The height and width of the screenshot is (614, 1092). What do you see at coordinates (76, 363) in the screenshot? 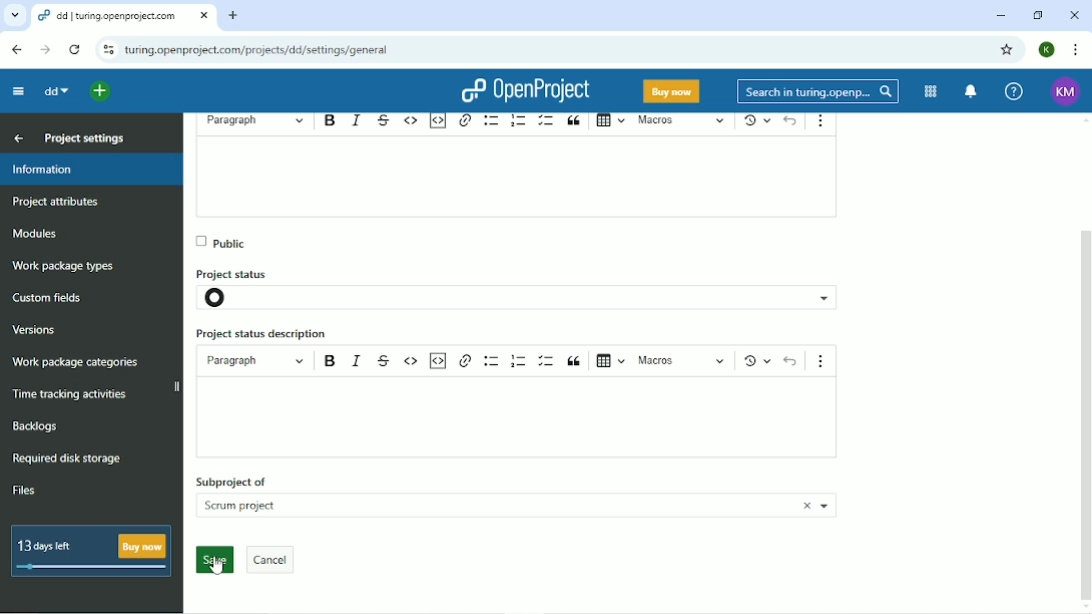
I see `Wok package categories` at bounding box center [76, 363].